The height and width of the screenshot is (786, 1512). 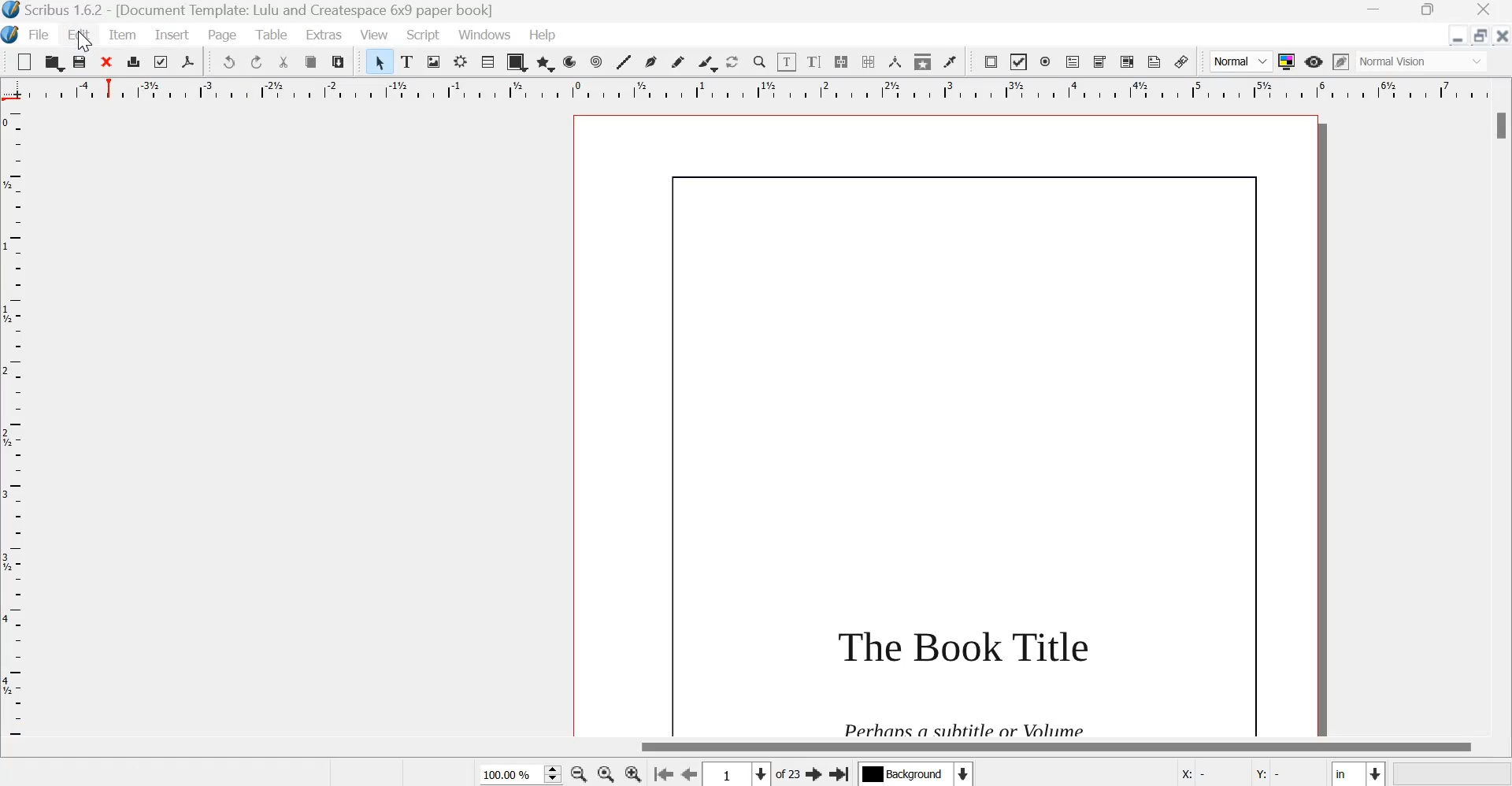 What do you see at coordinates (54, 63) in the screenshot?
I see `open` at bounding box center [54, 63].